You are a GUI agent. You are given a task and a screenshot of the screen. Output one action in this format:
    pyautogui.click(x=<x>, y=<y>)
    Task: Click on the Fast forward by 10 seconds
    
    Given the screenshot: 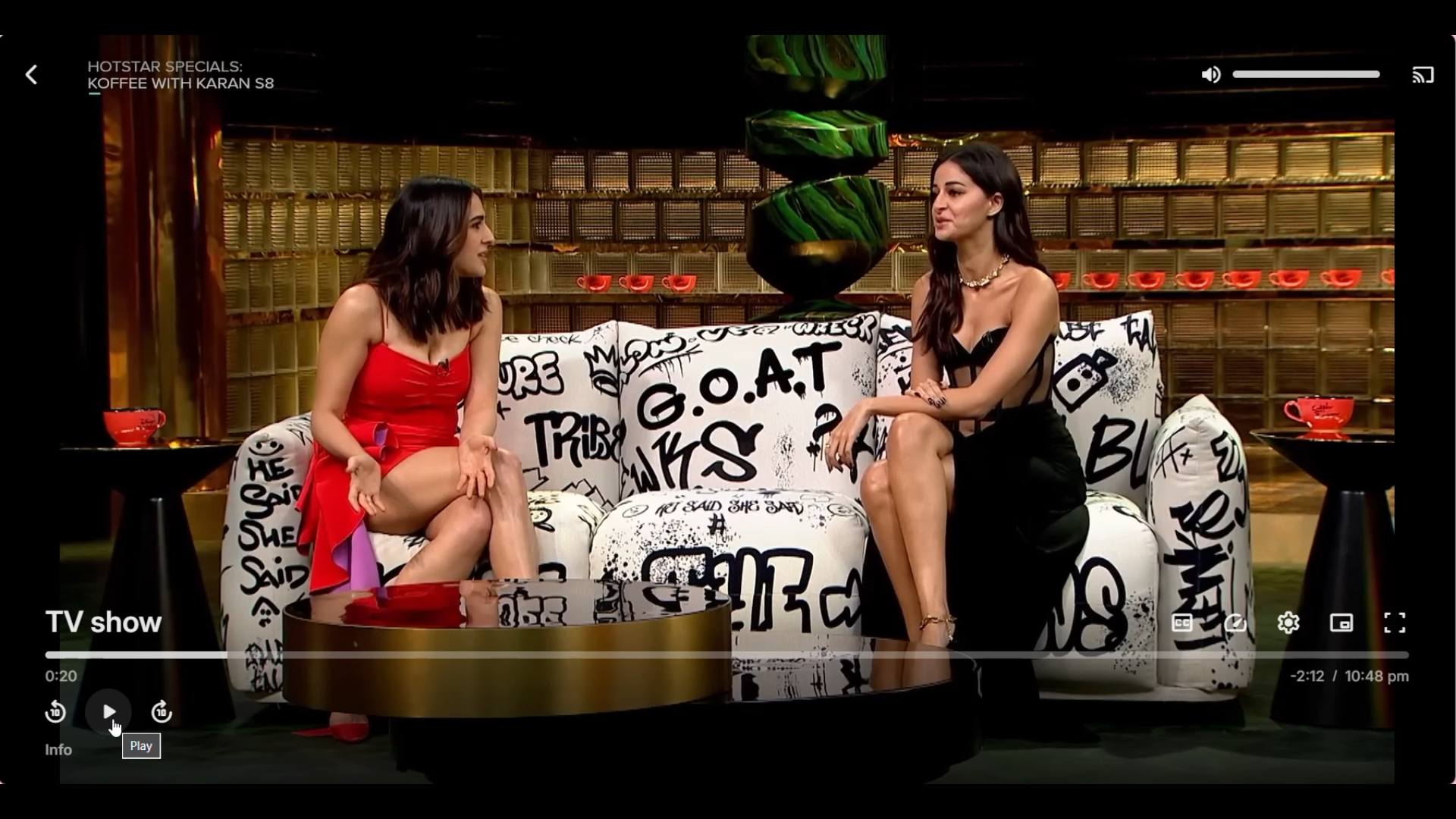 What is the action you would take?
    pyautogui.click(x=162, y=712)
    